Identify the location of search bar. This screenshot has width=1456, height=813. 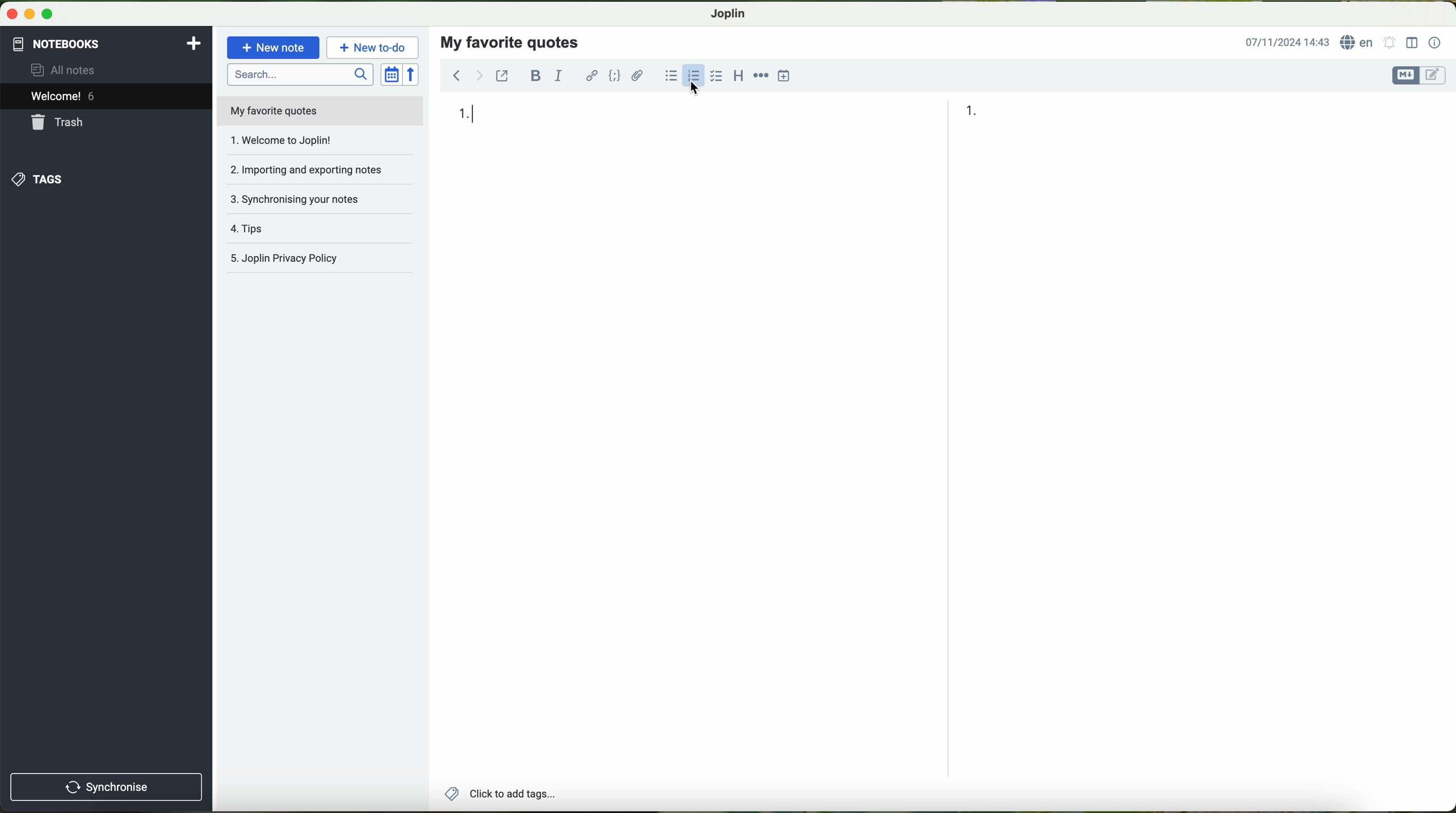
(298, 73).